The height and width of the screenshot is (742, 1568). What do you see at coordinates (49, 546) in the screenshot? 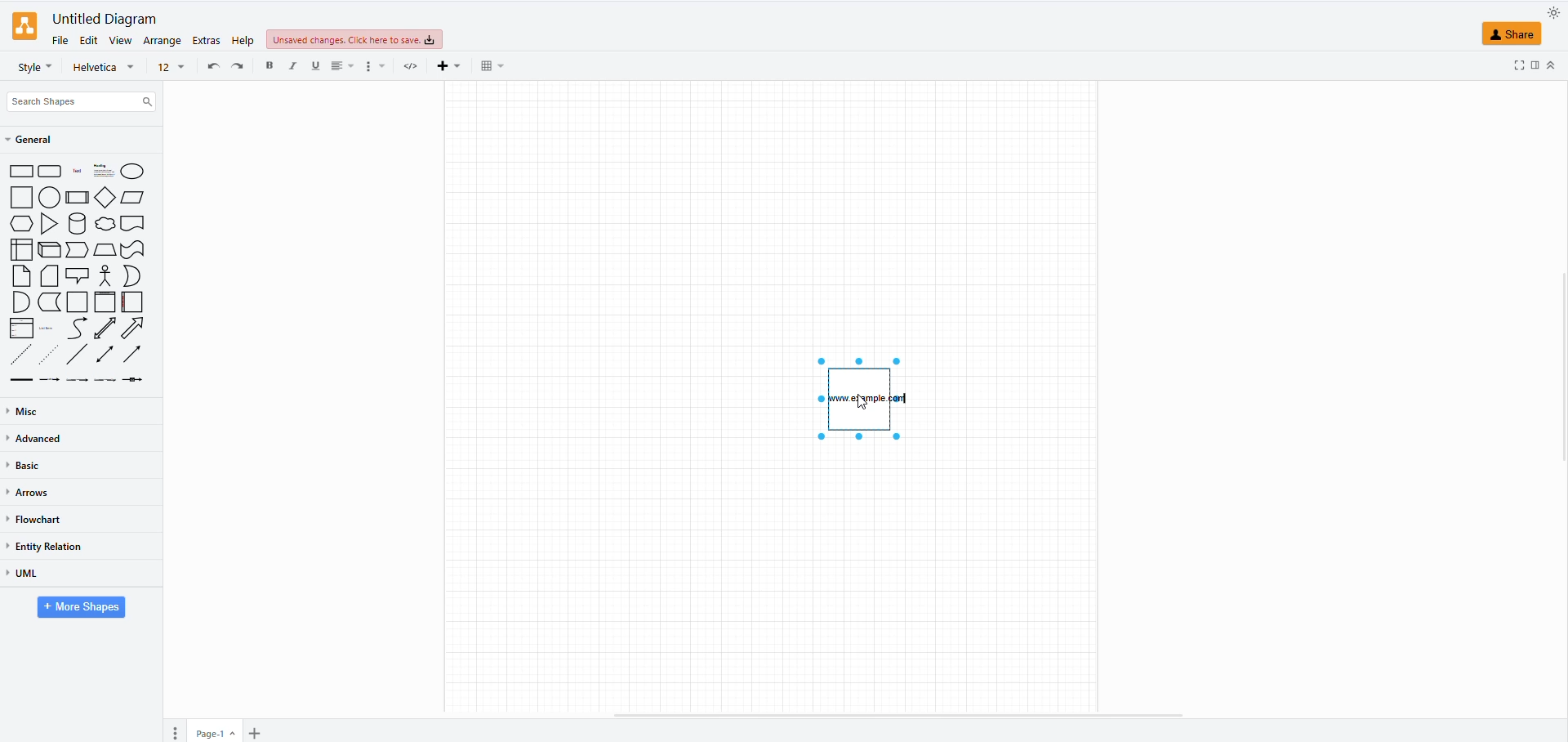
I see `entity relation` at bounding box center [49, 546].